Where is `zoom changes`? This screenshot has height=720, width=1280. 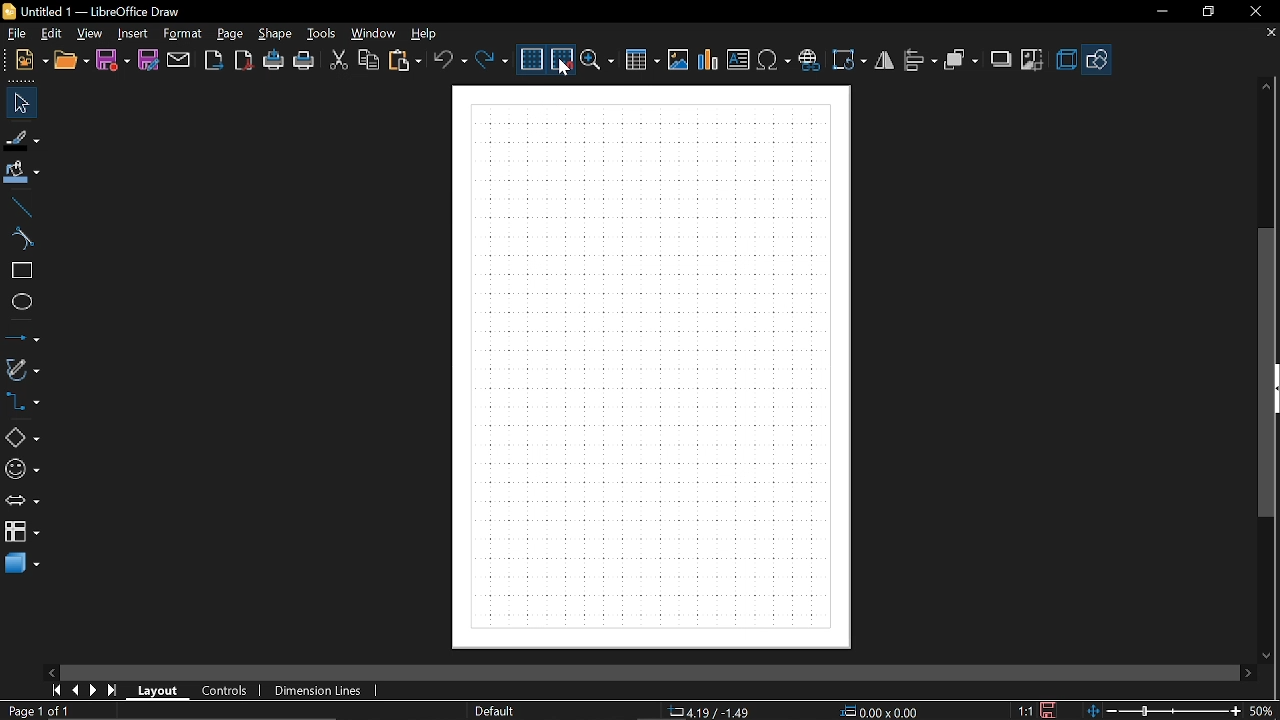 zoom changes is located at coordinates (1264, 710).